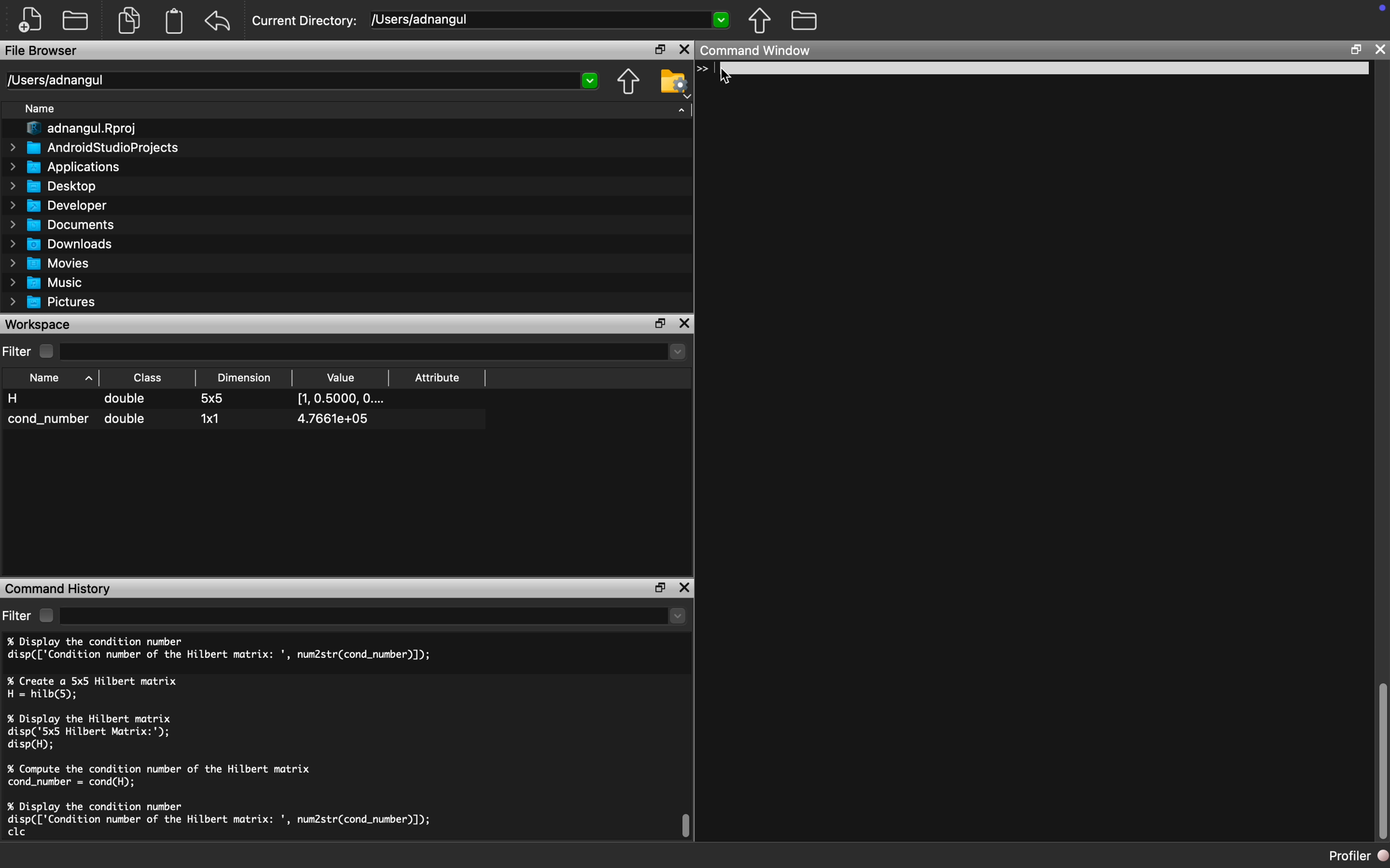 This screenshot has width=1390, height=868. I want to click on H double 5x5 [1,0.5000, O...., so click(199, 400).